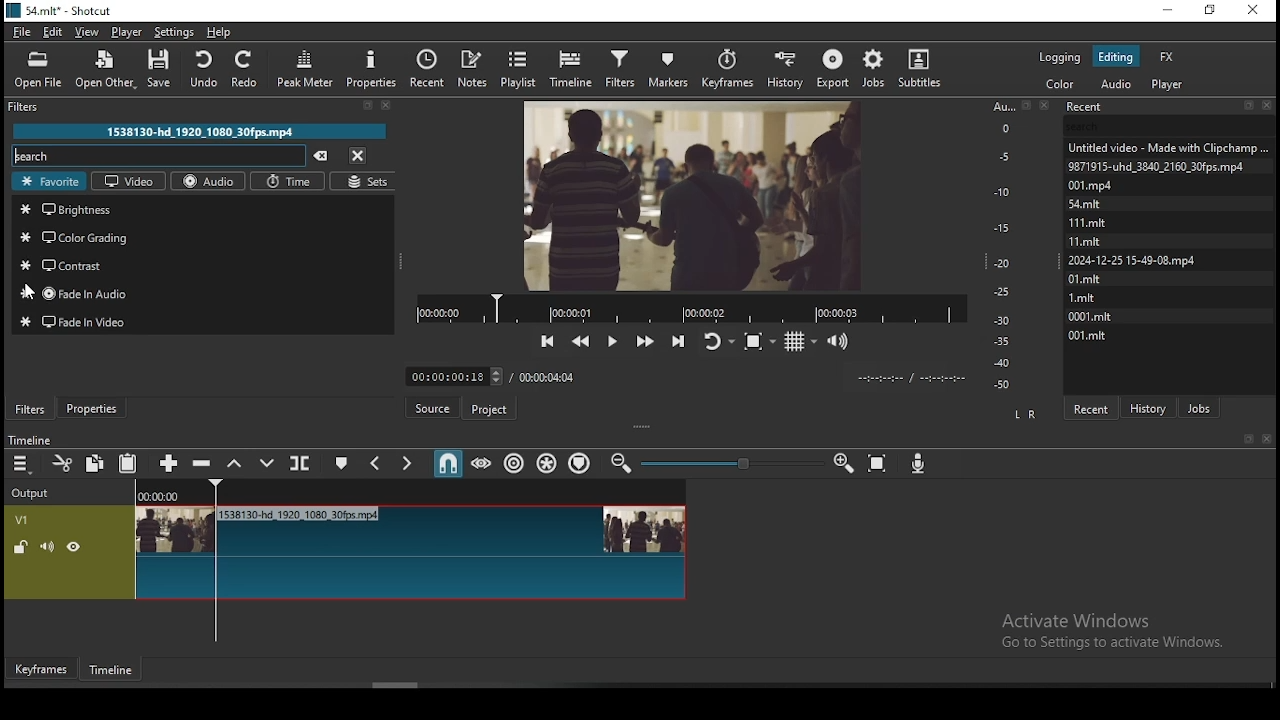 The image size is (1280, 720). What do you see at coordinates (430, 68) in the screenshot?
I see `recent` at bounding box center [430, 68].